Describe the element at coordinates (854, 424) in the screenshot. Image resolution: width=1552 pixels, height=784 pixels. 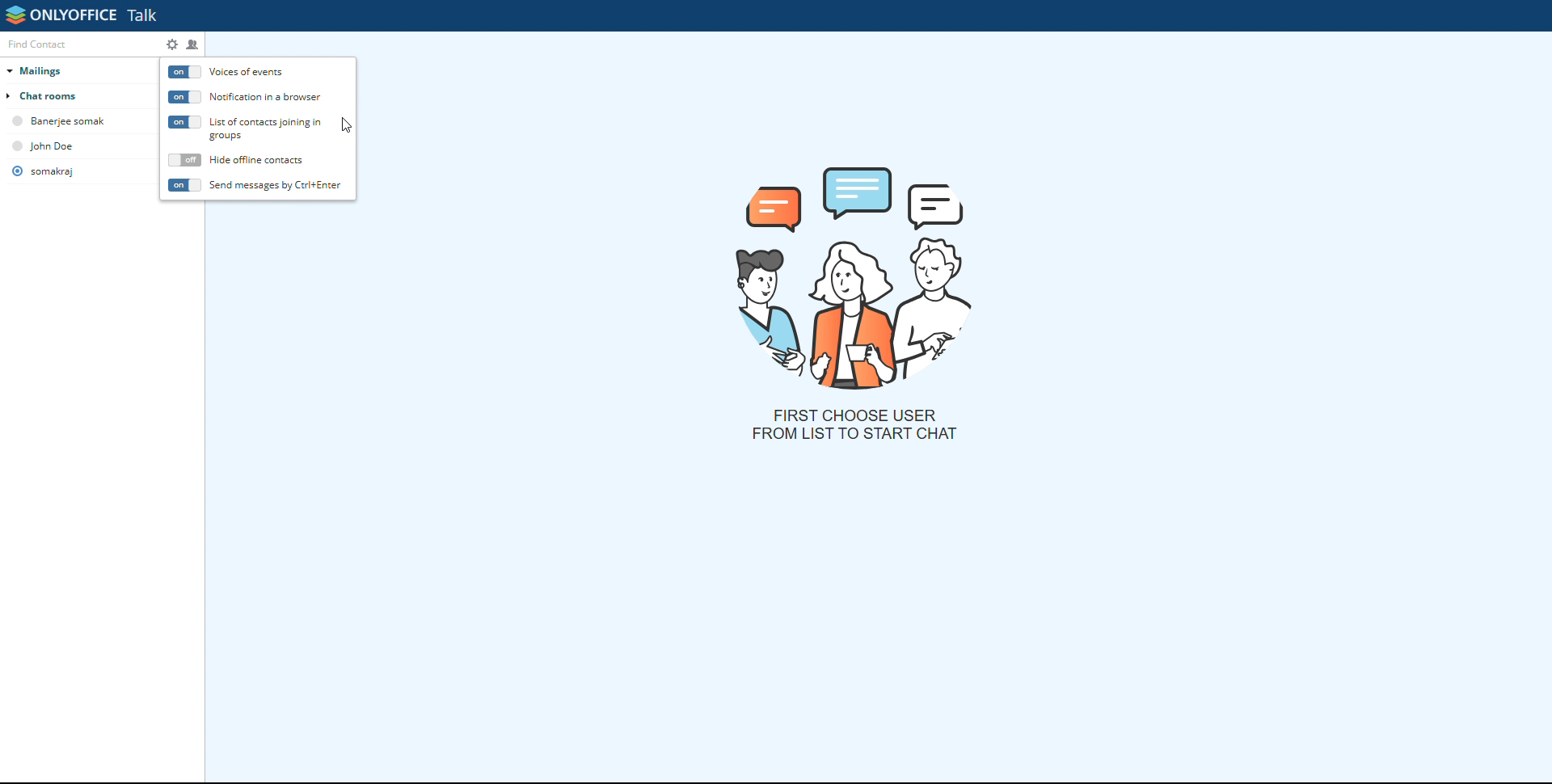
I see `first choose user from list to start chat` at that location.